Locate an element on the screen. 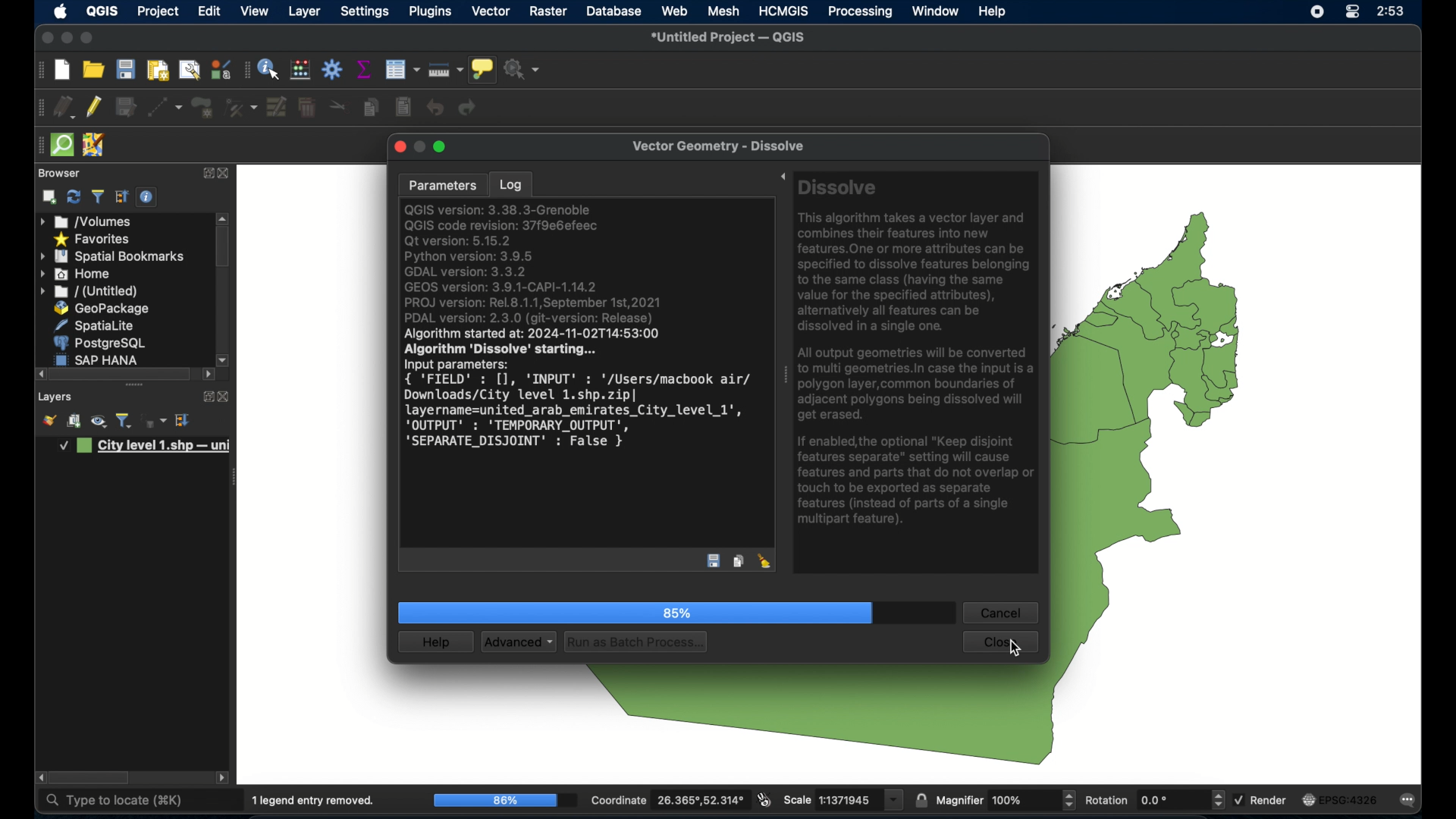 This screenshot has height=819, width=1456. parameters is located at coordinates (441, 184).